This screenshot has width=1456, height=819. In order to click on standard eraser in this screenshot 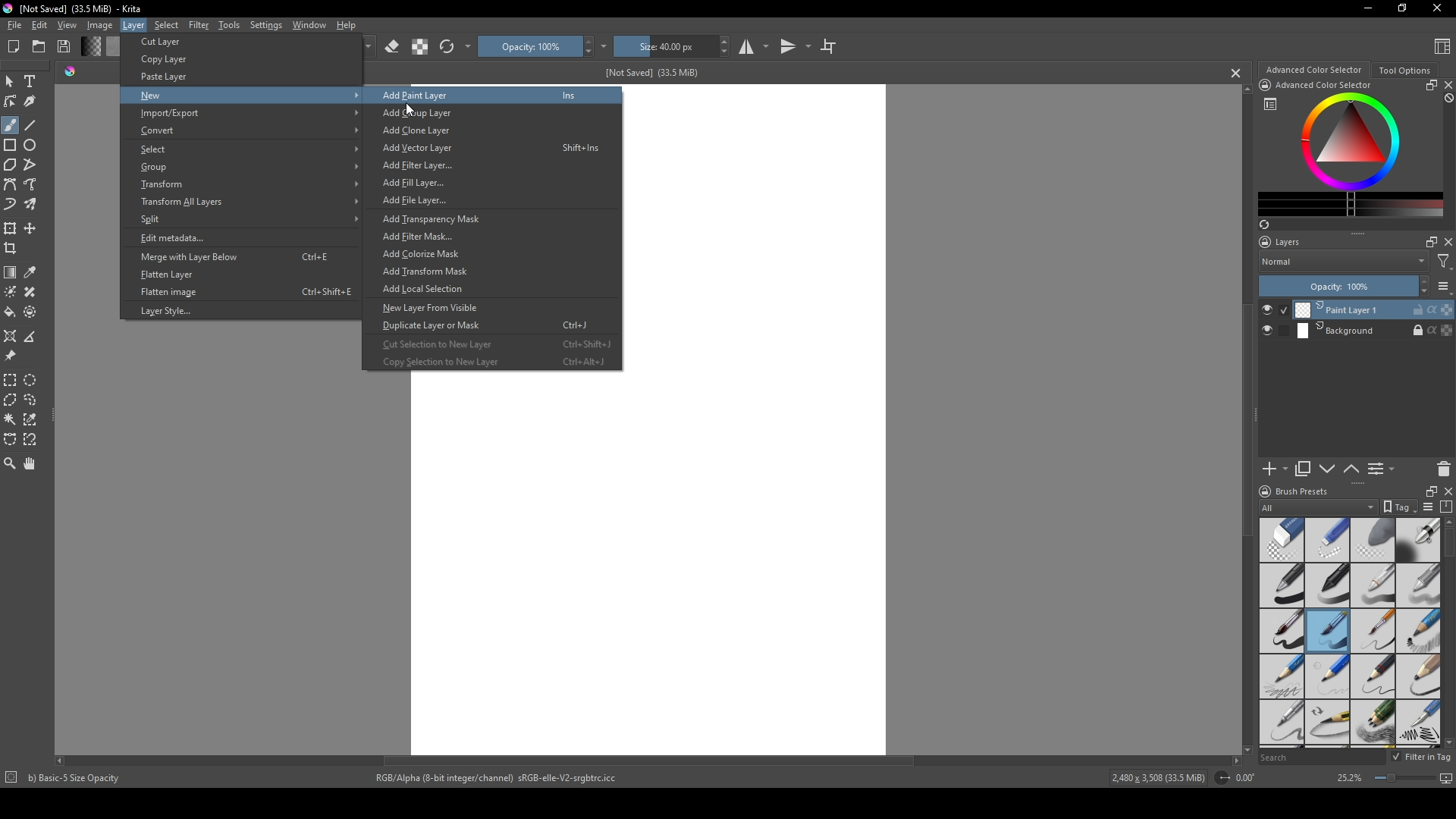, I will do `click(1281, 539)`.